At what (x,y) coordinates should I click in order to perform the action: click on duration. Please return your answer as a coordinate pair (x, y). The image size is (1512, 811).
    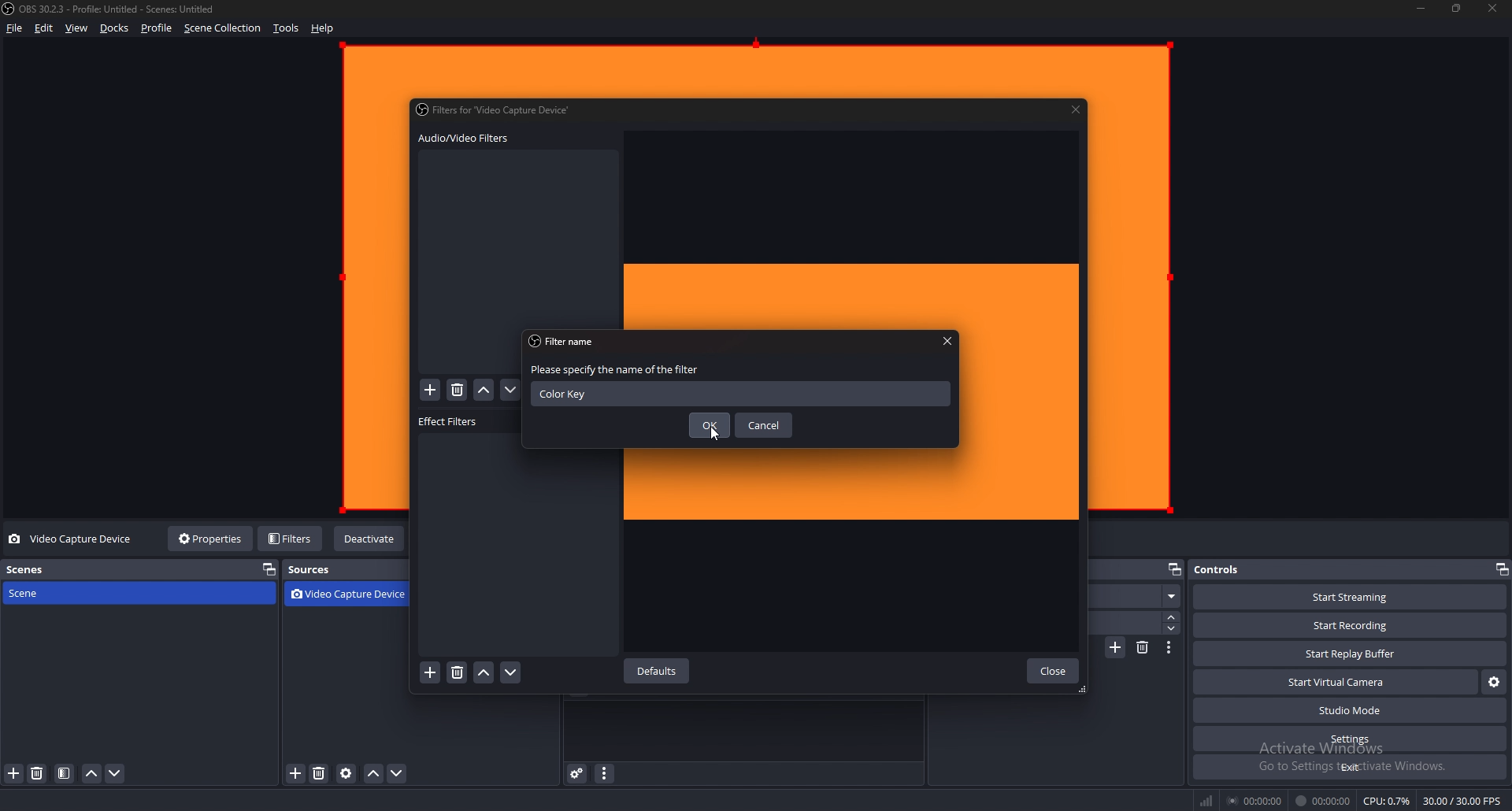
    Looking at the image, I should click on (1129, 622).